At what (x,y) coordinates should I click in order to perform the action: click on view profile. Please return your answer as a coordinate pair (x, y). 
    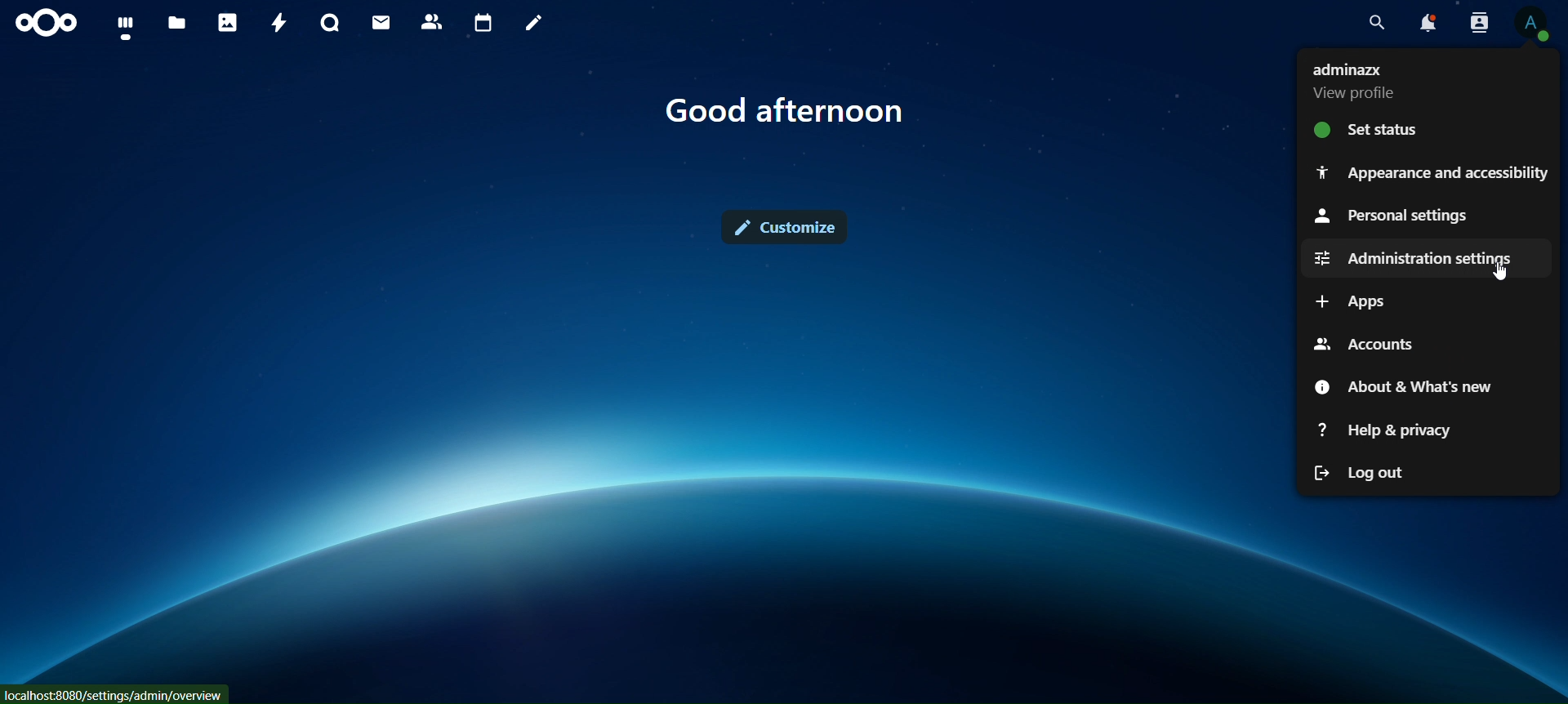
    Looking at the image, I should click on (1356, 84).